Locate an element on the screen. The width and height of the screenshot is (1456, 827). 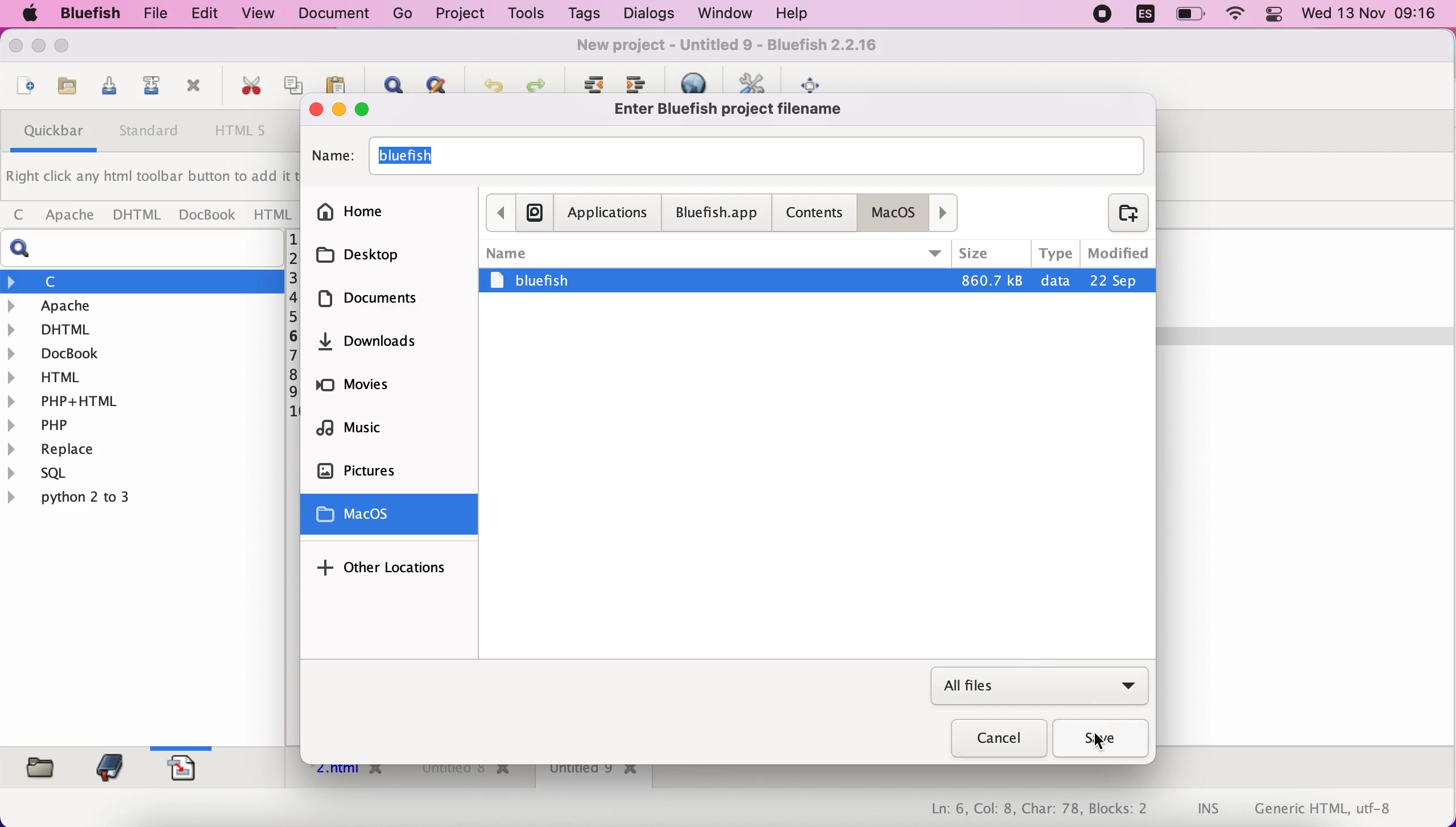
search apps is located at coordinates (534, 212).